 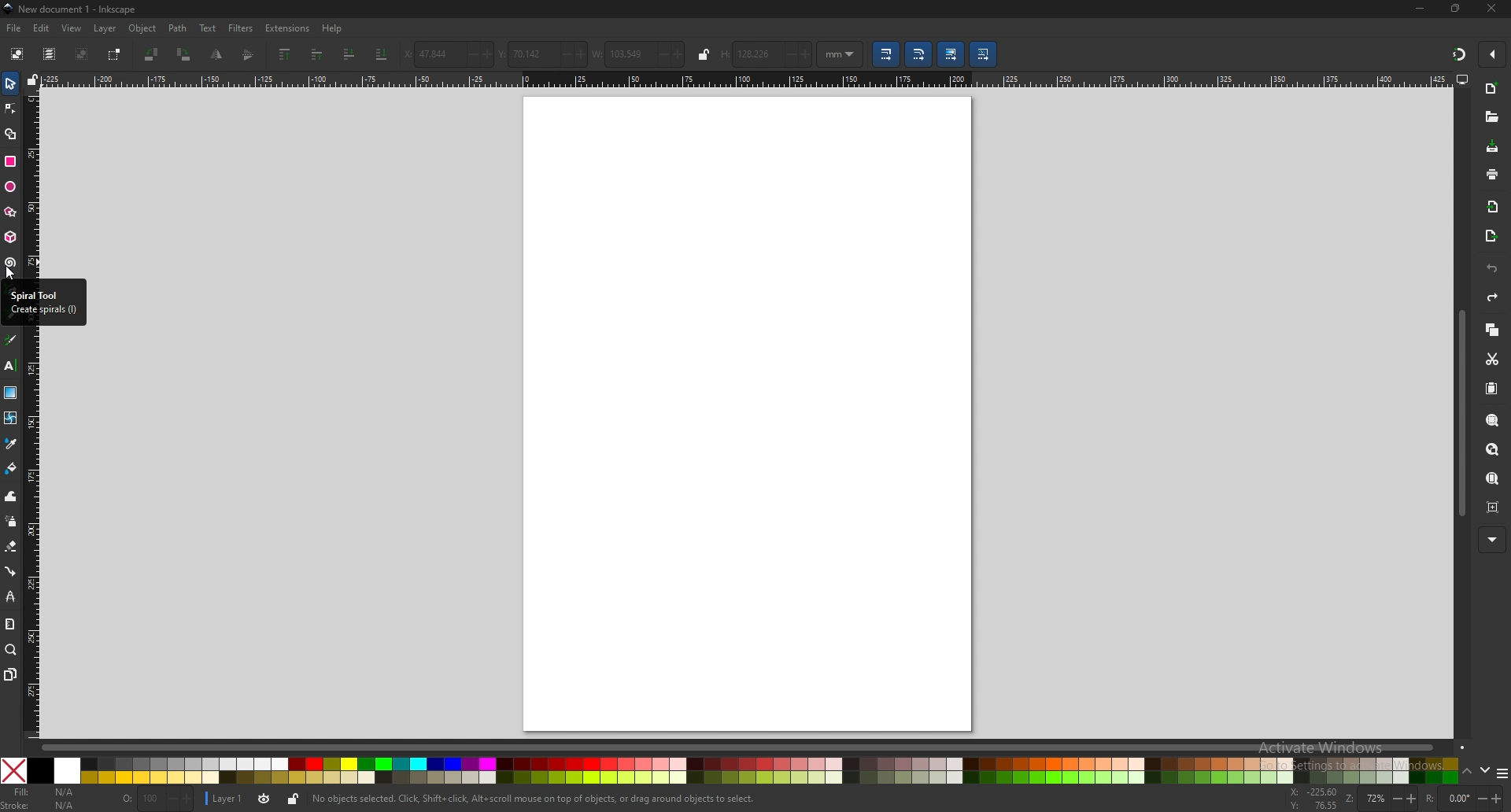 I want to click on zoom centre page, so click(x=1493, y=507).